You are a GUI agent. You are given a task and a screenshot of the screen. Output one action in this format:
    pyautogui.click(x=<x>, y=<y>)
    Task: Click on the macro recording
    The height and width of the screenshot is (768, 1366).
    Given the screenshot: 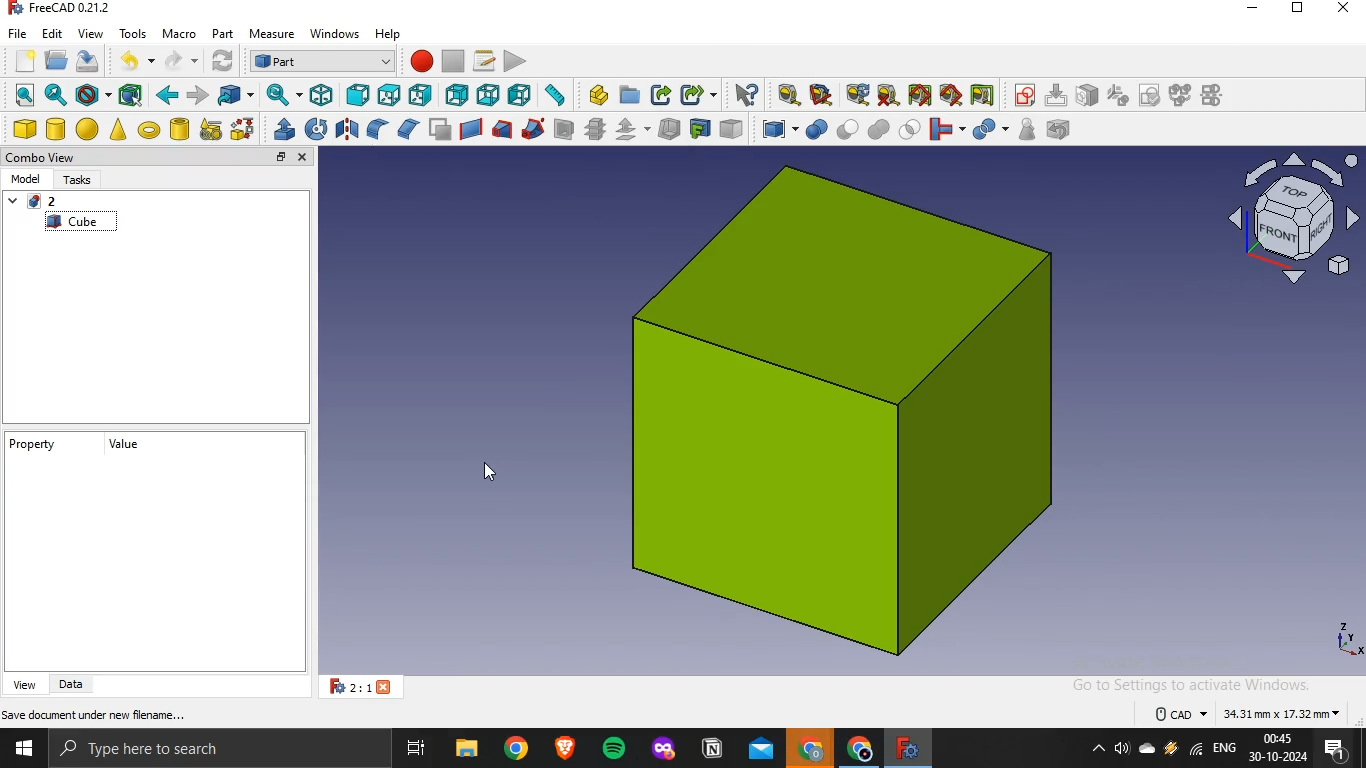 What is the action you would take?
    pyautogui.click(x=423, y=61)
    